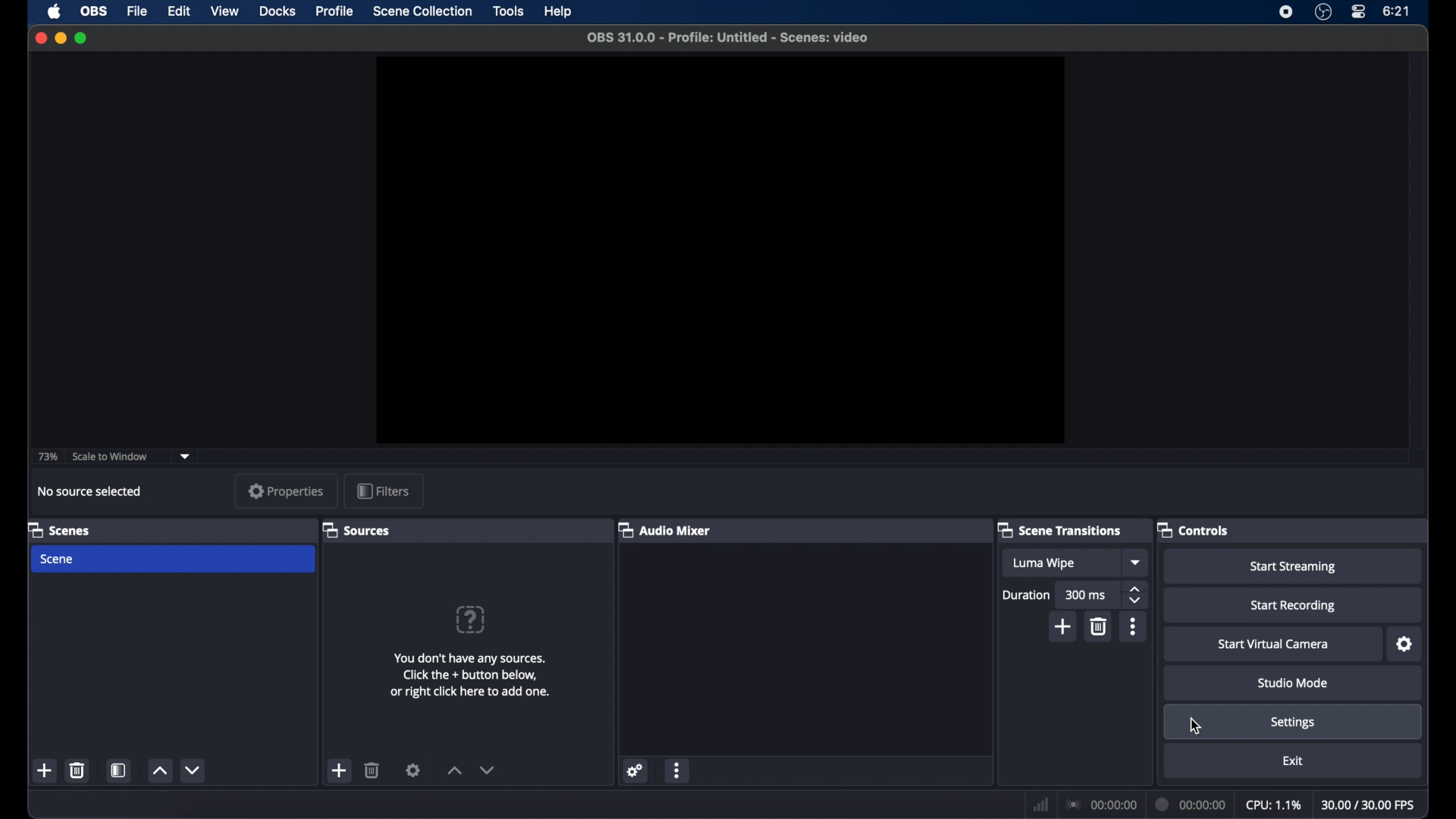 This screenshot has height=819, width=1456. What do you see at coordinates (664, 529) in the screenshot?
I see `audio mixer` at bounding box center [664, 529].